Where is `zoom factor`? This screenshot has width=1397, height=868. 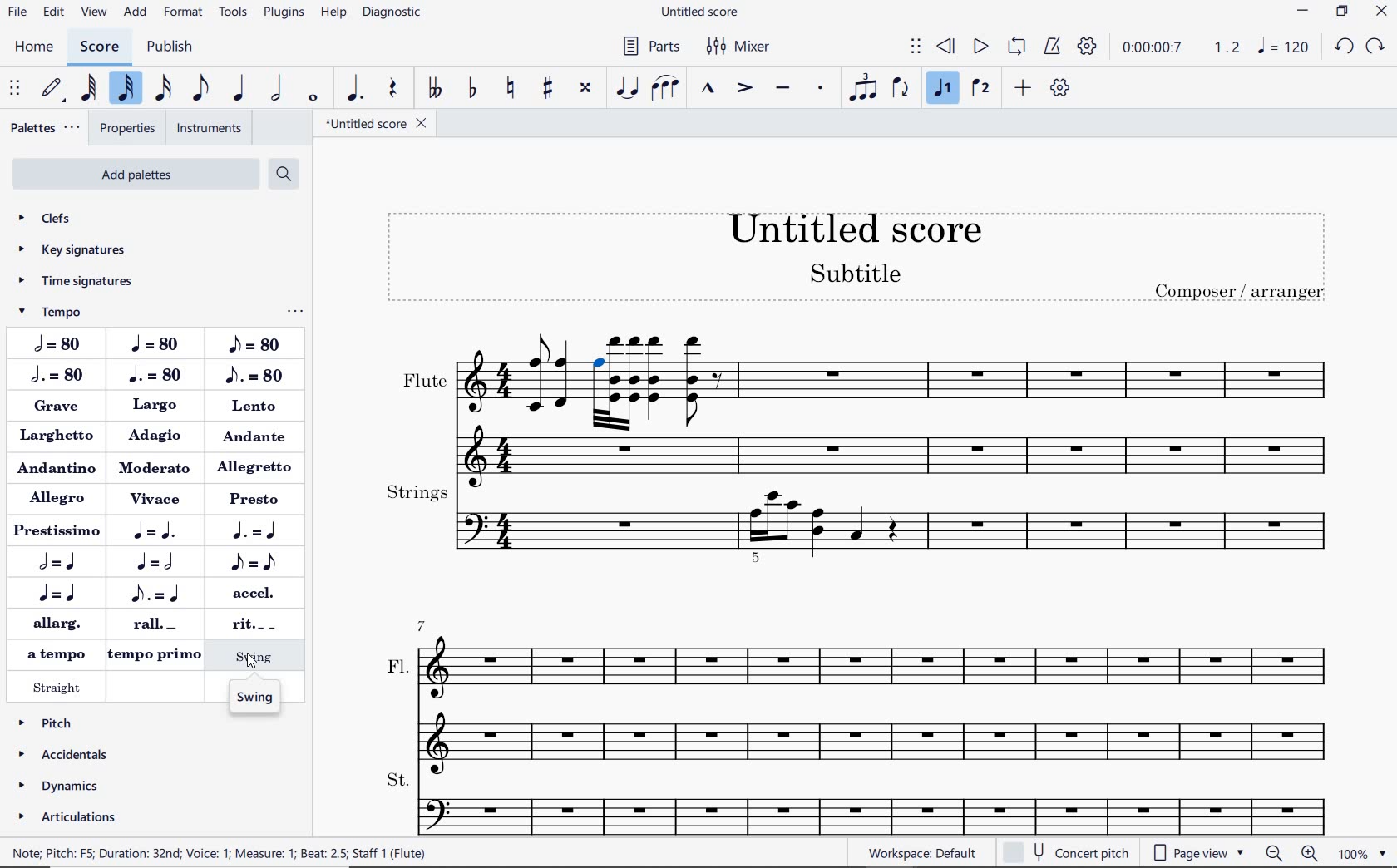 zoom factor is located at coordinates (1363, 852).